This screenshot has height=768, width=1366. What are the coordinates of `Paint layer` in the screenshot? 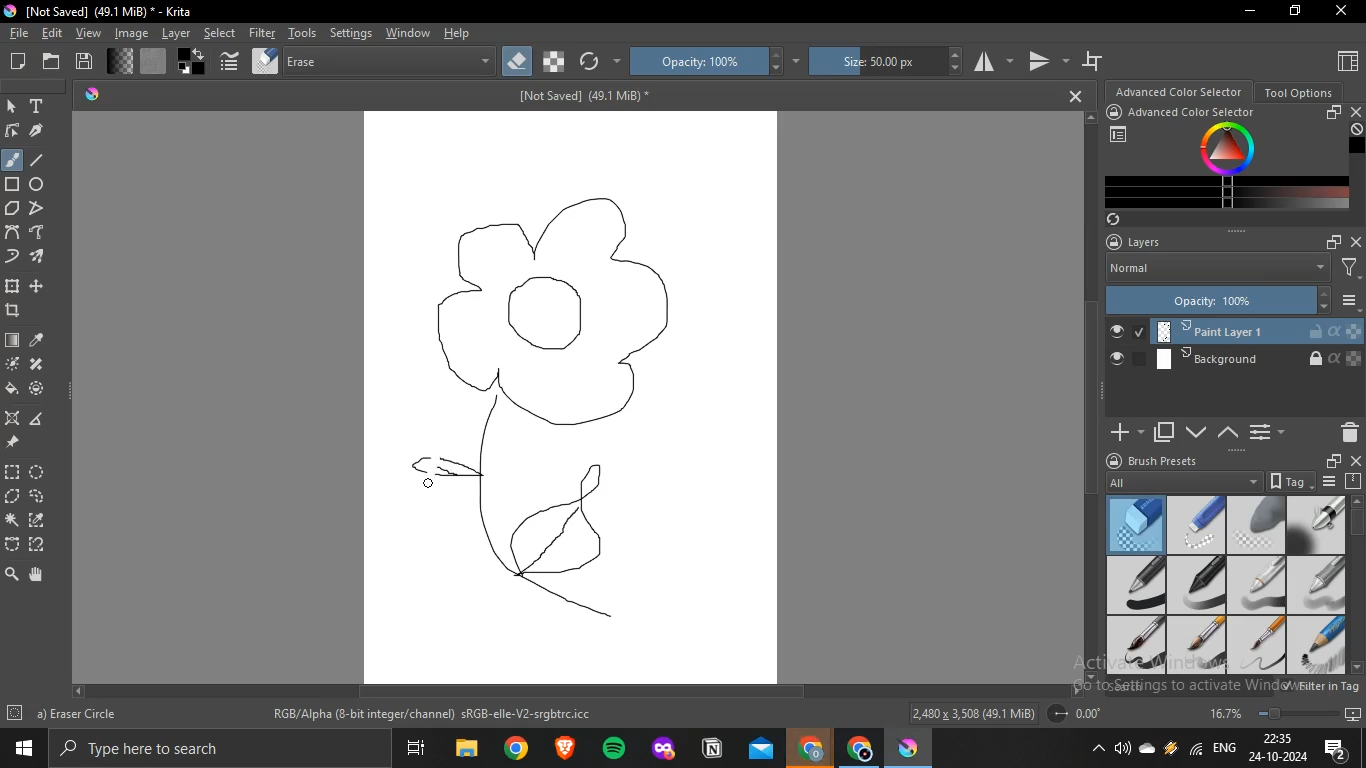 It's located at (1229, 328).